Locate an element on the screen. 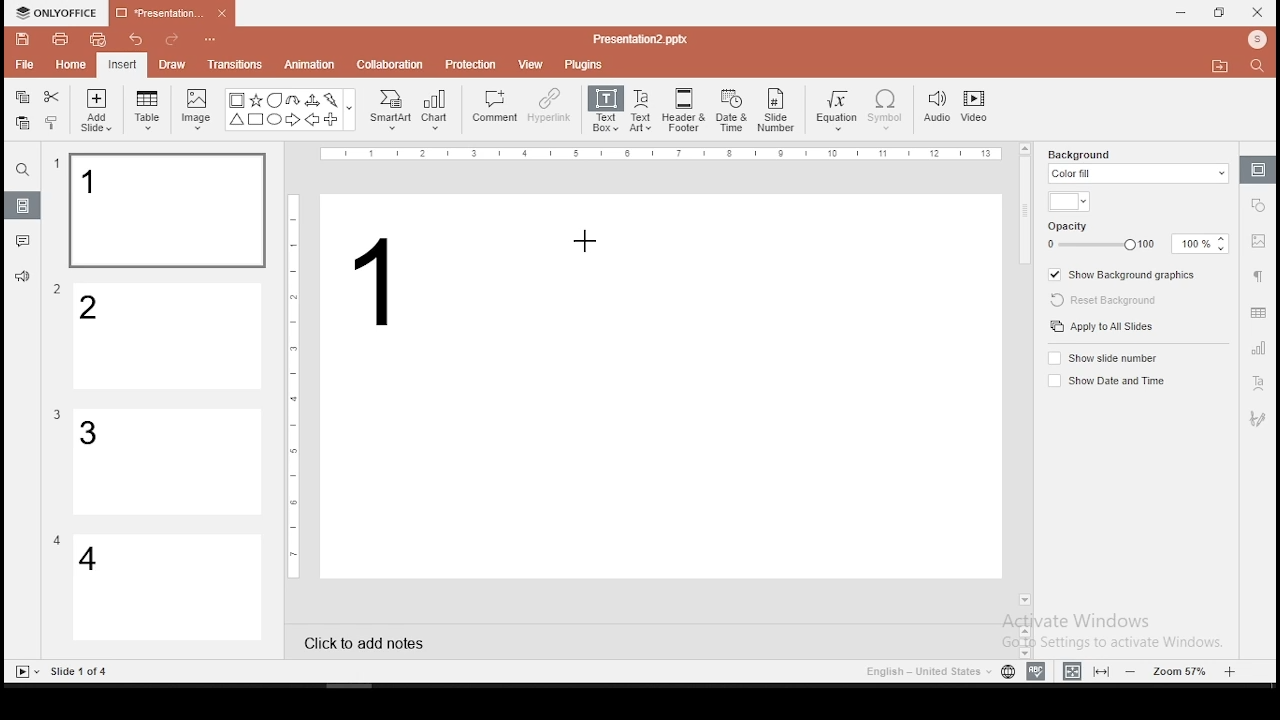  icon is located at coordinates (60, 13).